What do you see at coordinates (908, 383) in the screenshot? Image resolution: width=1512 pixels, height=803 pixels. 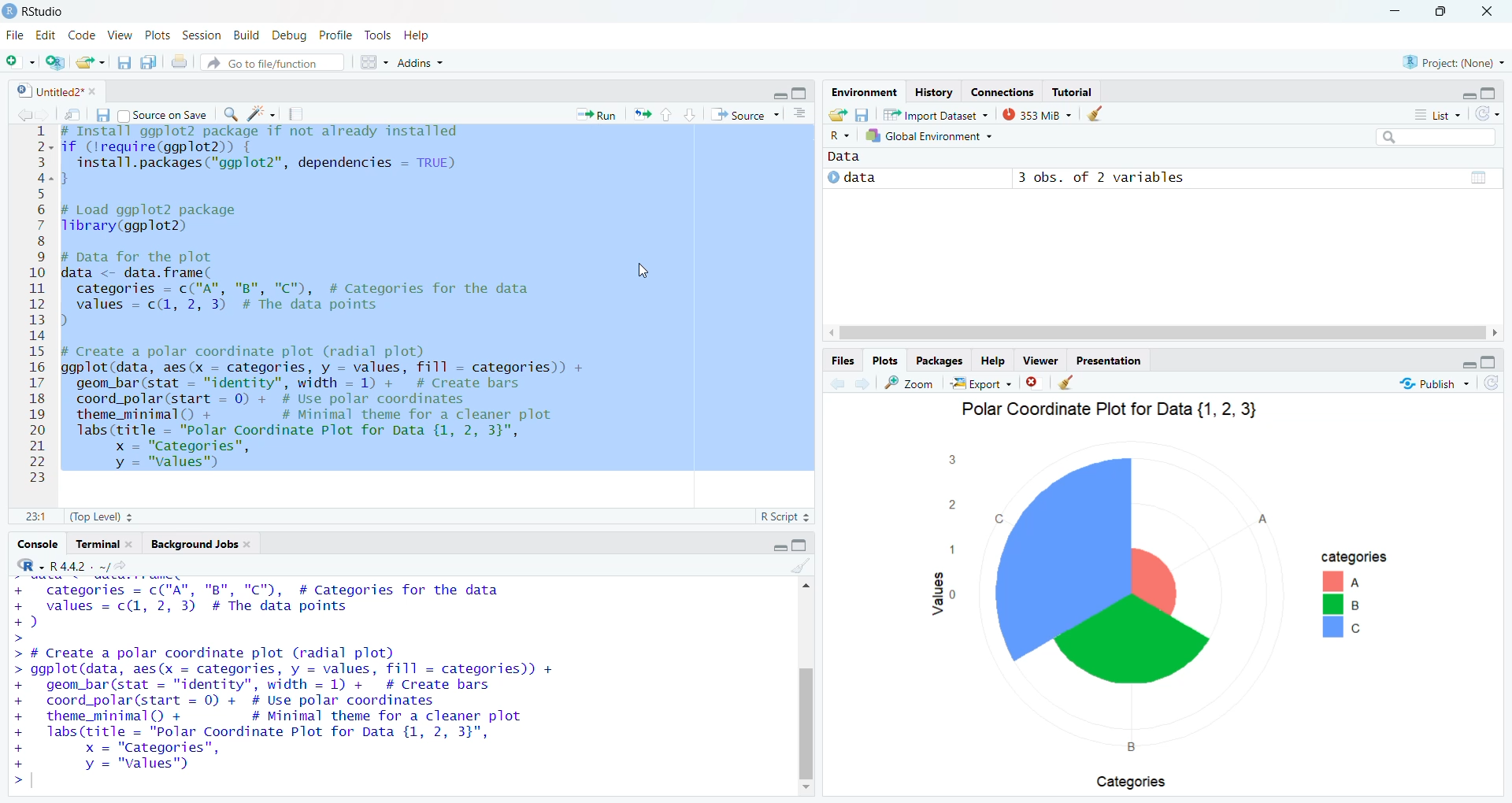 I see `zoom` at bounding box center [908, 383].